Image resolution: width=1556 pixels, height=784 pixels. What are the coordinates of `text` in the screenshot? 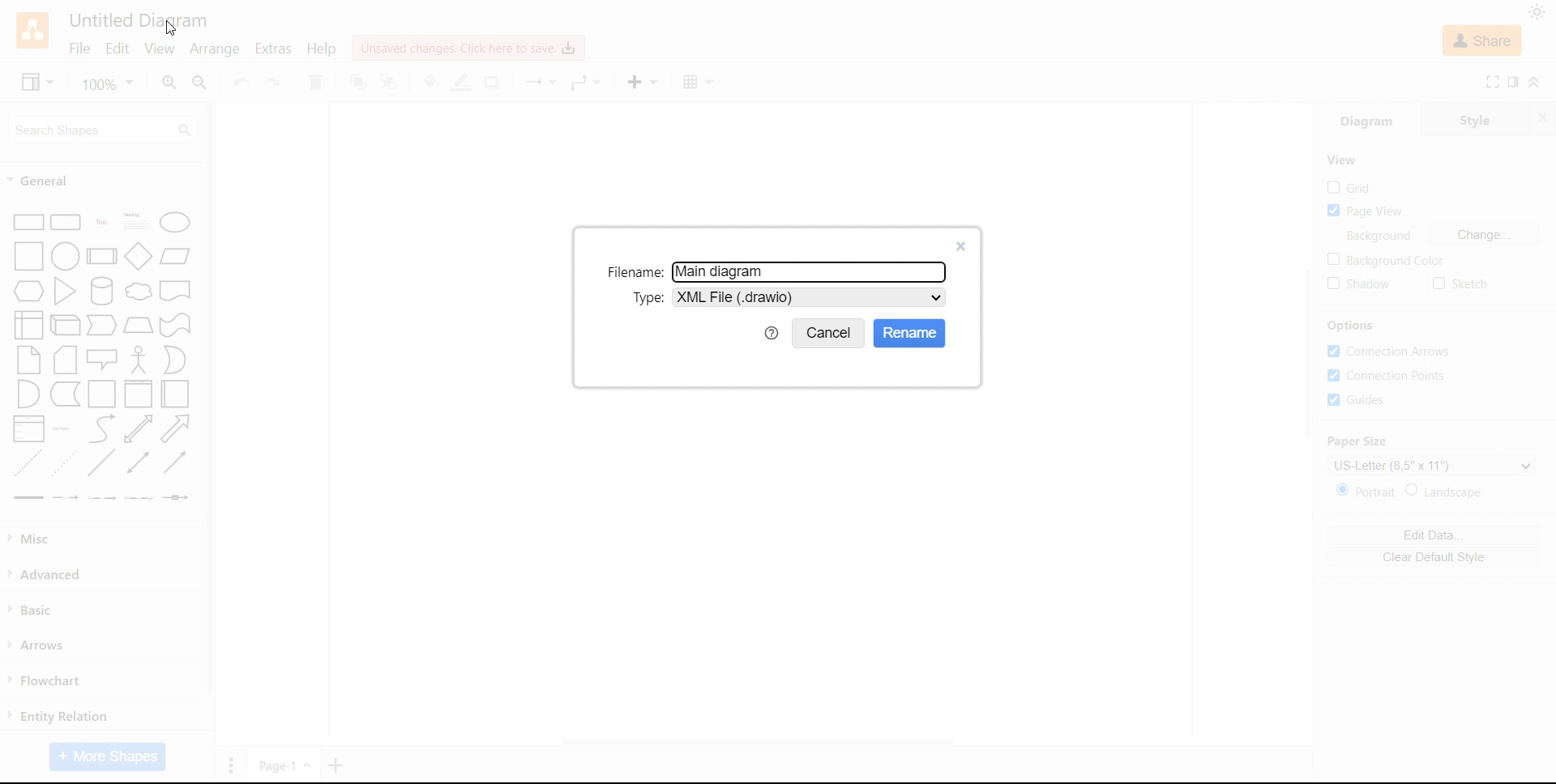 It's located at (1383, 236).